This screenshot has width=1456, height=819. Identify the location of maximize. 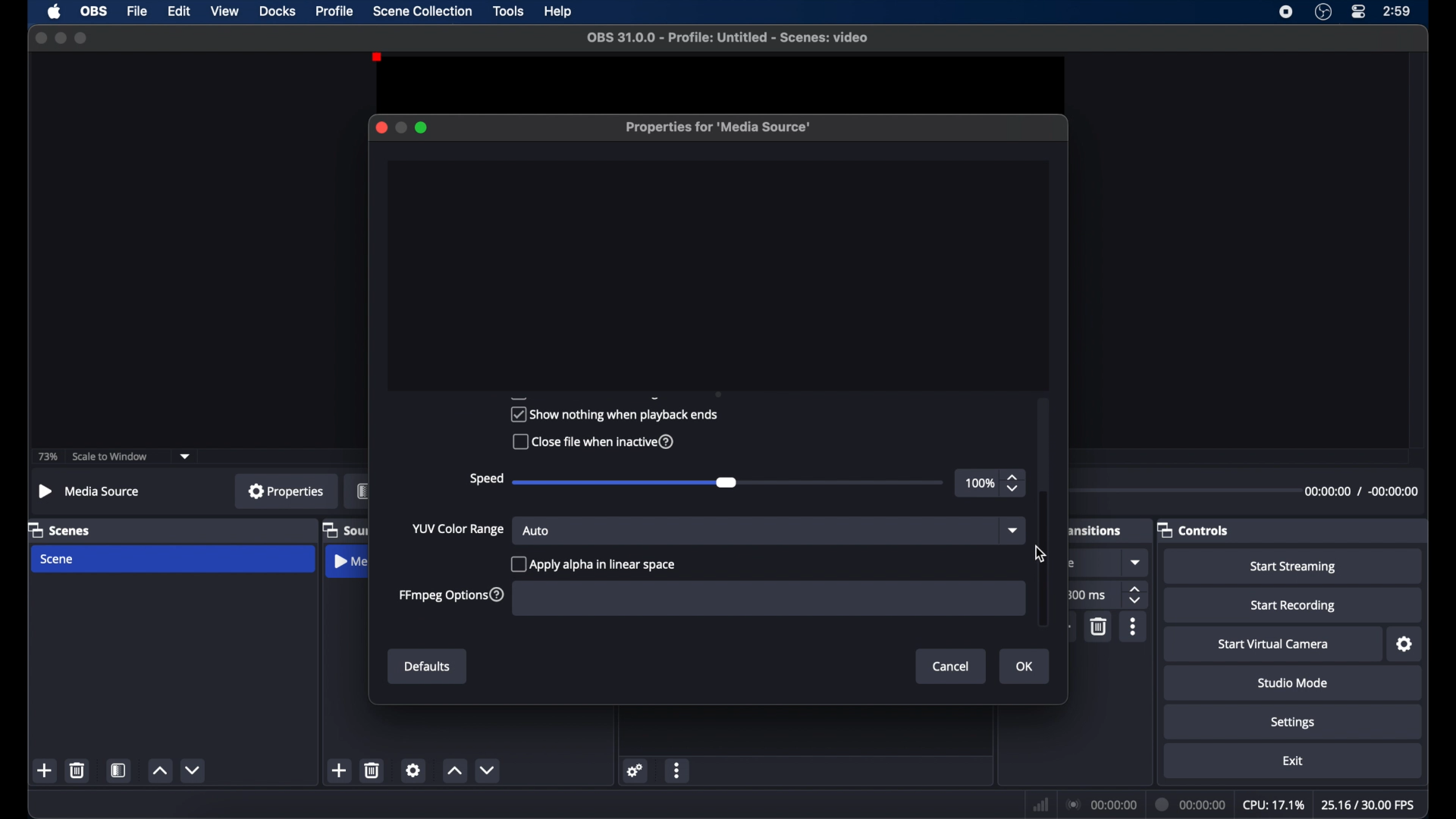
(422, 127).